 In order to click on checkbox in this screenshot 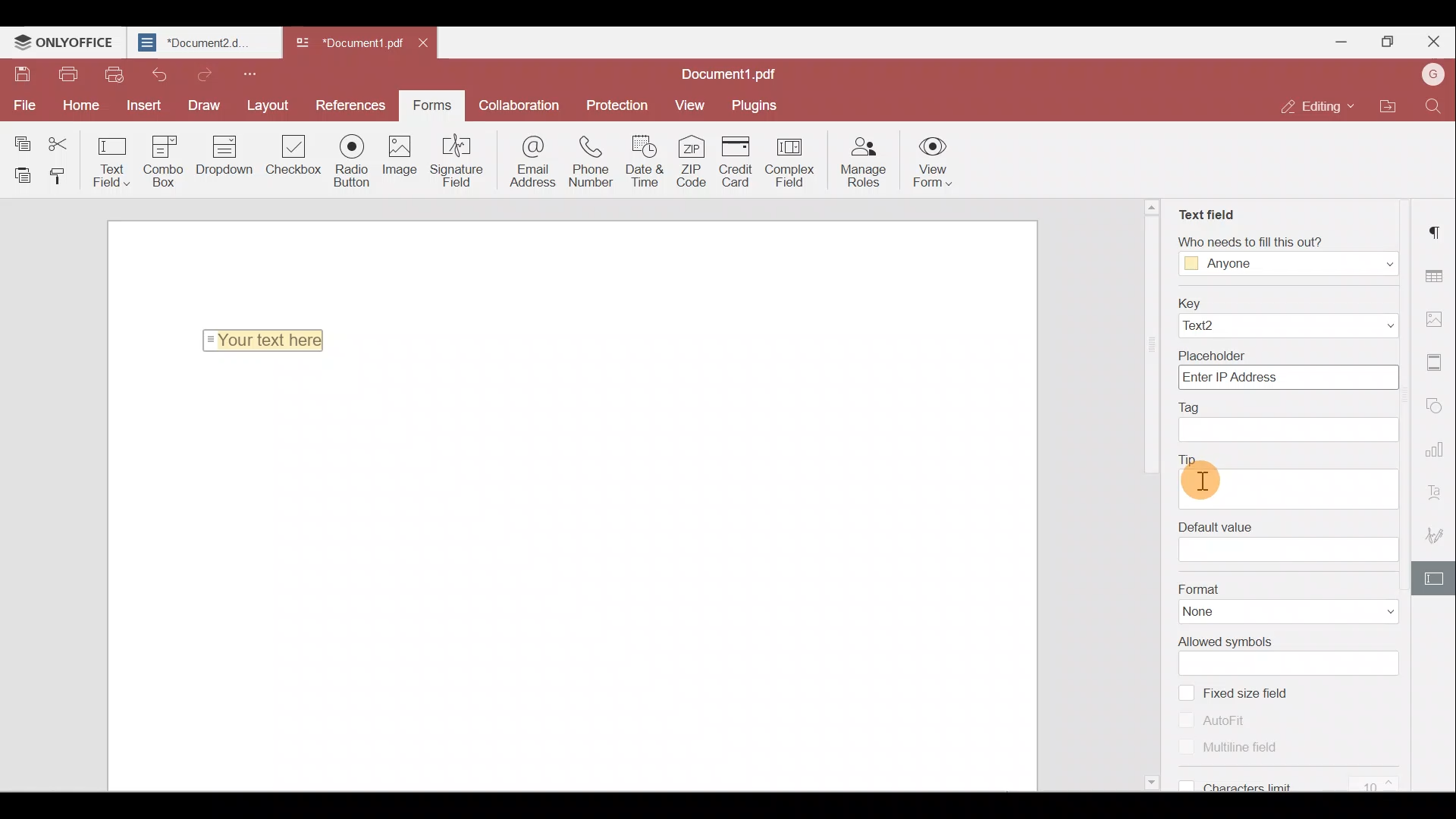, I will do `click(1188, 748)`.